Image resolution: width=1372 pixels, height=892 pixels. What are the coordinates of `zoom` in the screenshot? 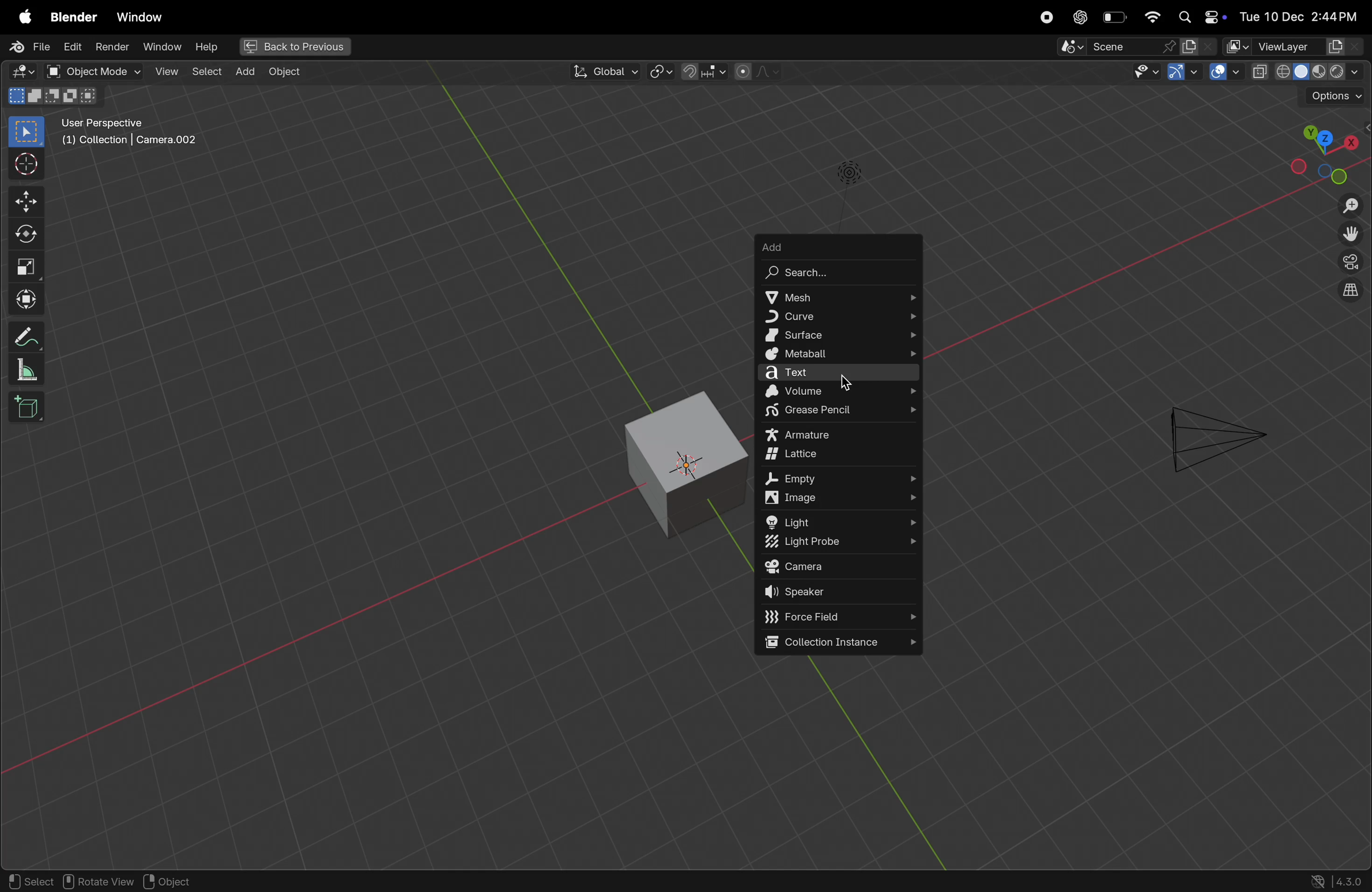 It's located at (1347, 205).